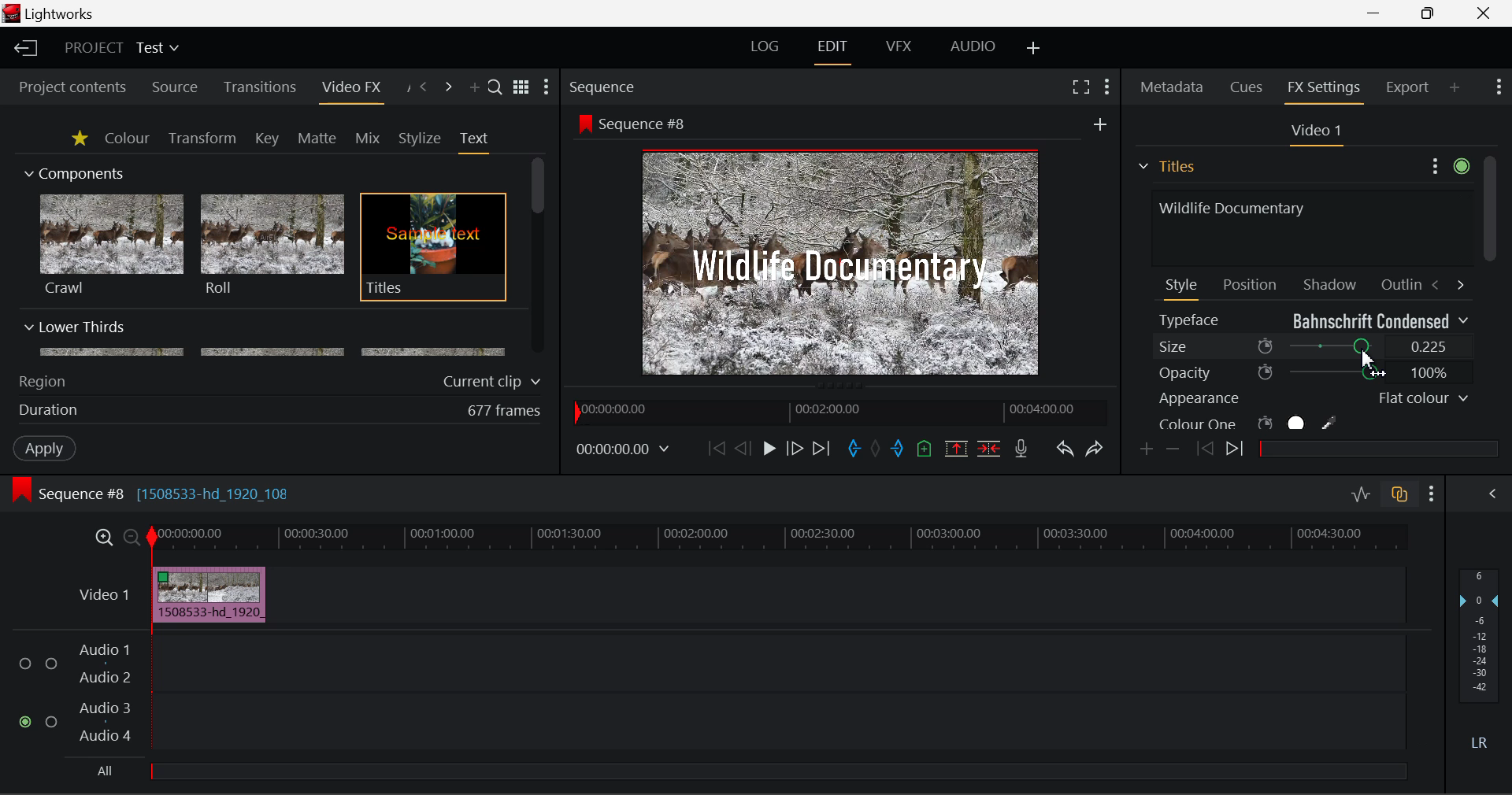 This screenshot has height=795, width=1512. Describe the element at coordinates (1307, 226) in the screenshot. I see `Text Input Field` at that location.